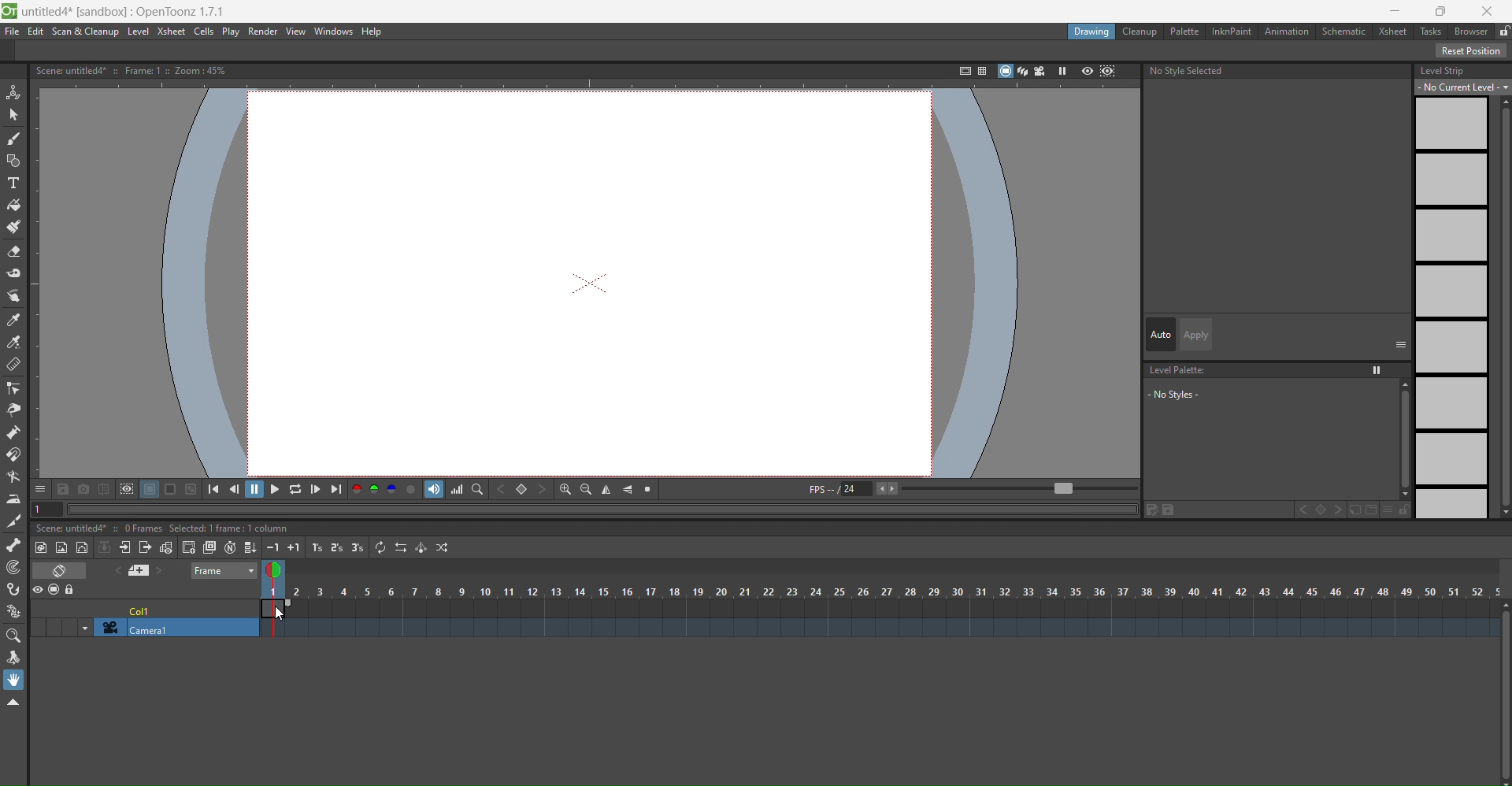  What do you see at coordinates (278, 613) in the screenshot?
I see `cursor` at bounding box center [278, 613].